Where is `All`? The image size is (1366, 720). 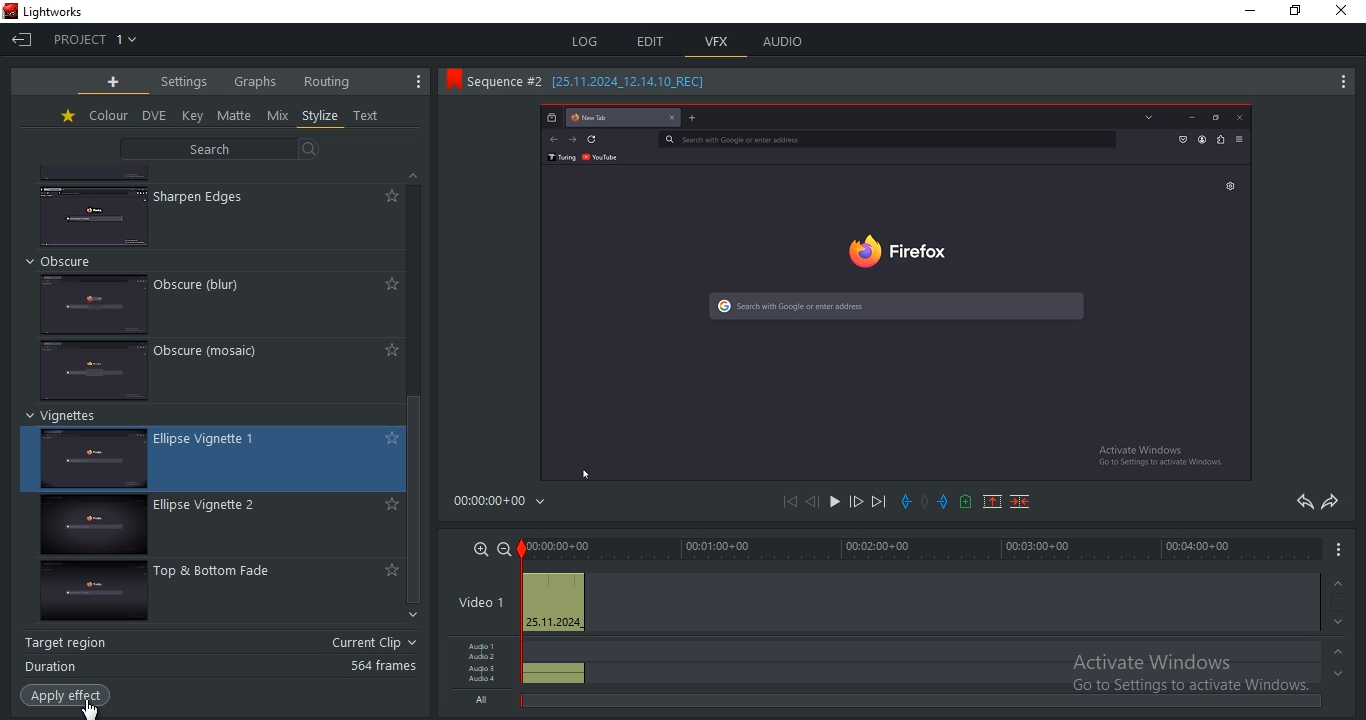 All is located at coordinates (483, 702).